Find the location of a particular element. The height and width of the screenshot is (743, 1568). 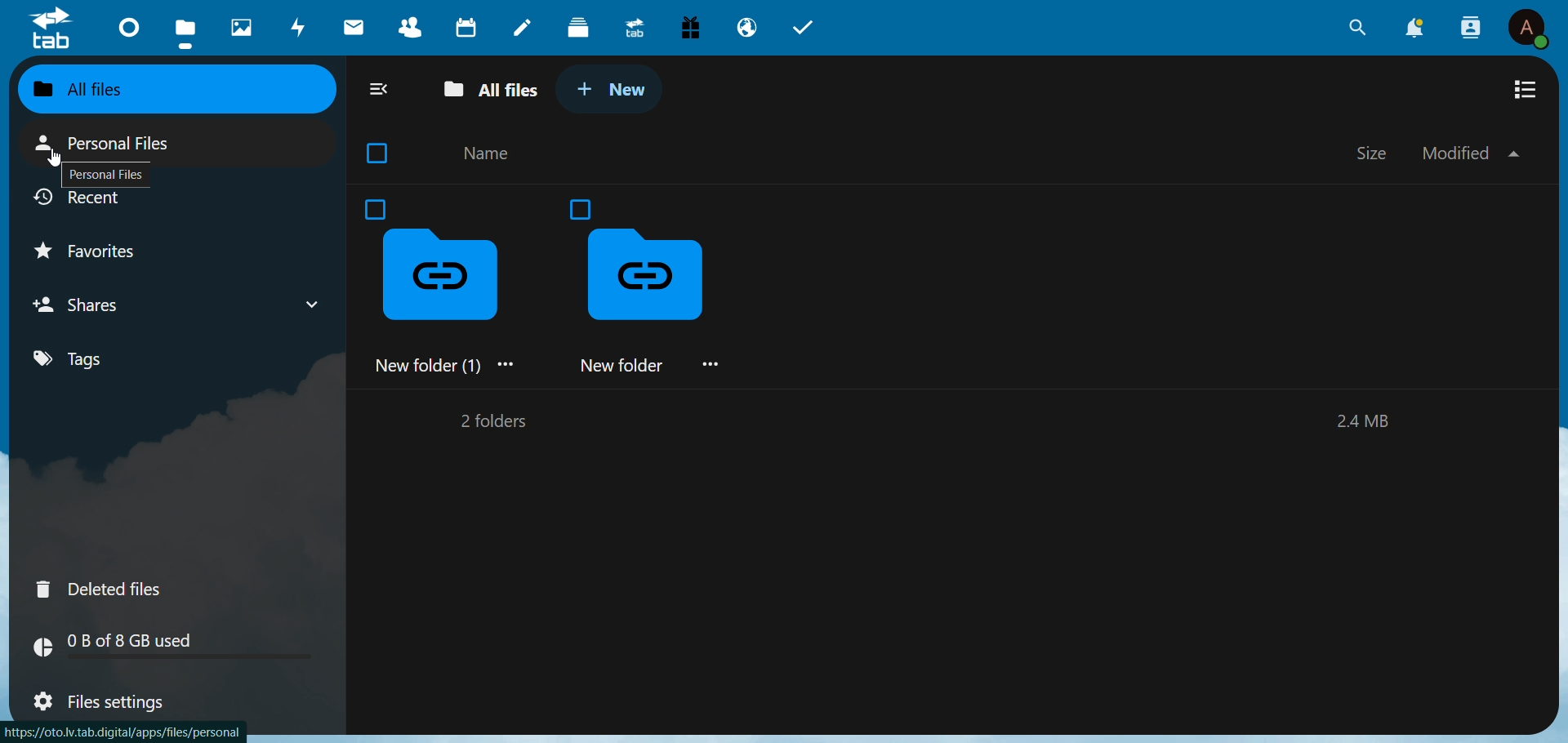

personal files is located at coordinates (114, 144).